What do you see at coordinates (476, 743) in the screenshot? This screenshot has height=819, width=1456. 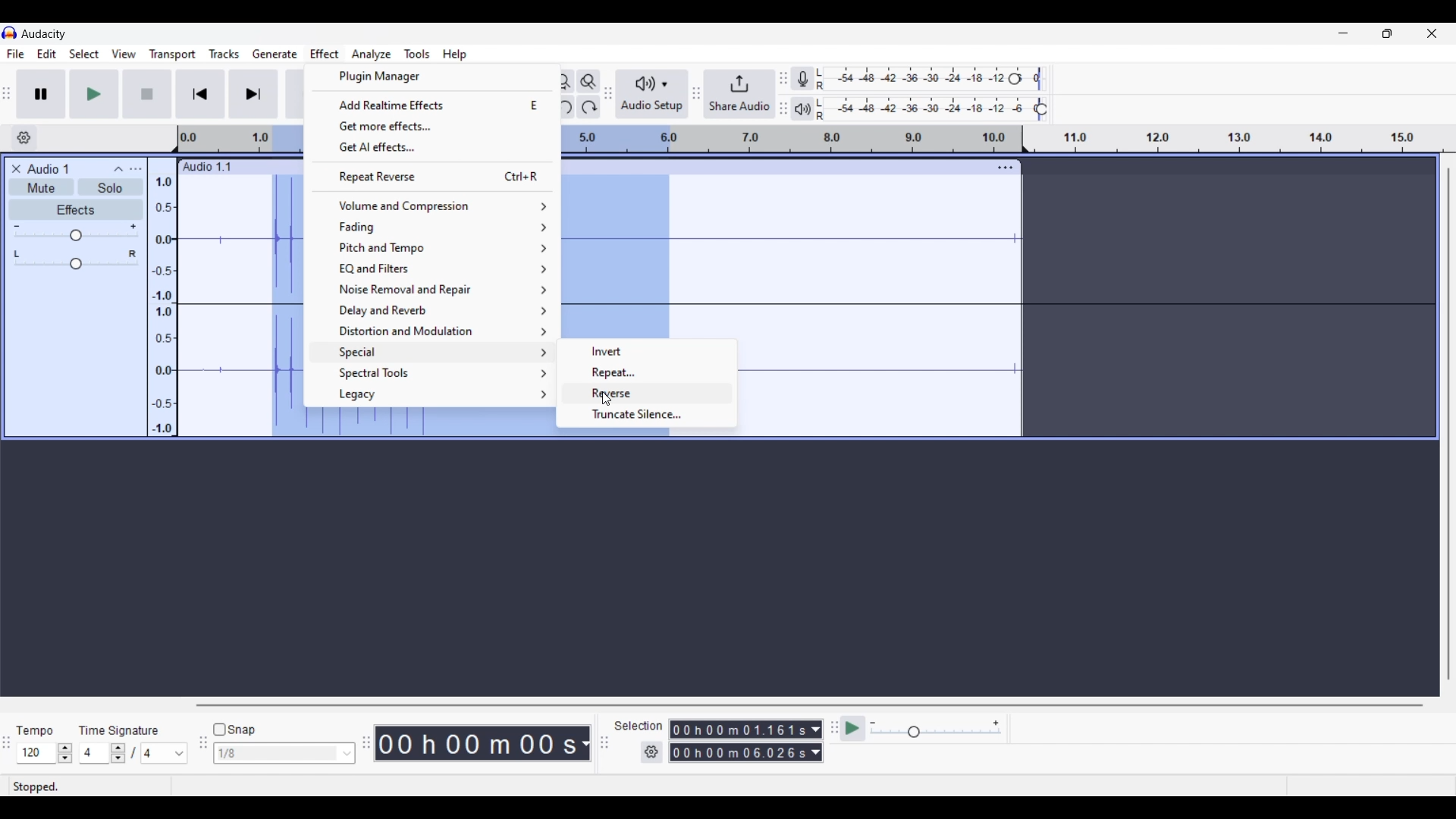 I see `Recorded duration` at bounding box center [476, 743].